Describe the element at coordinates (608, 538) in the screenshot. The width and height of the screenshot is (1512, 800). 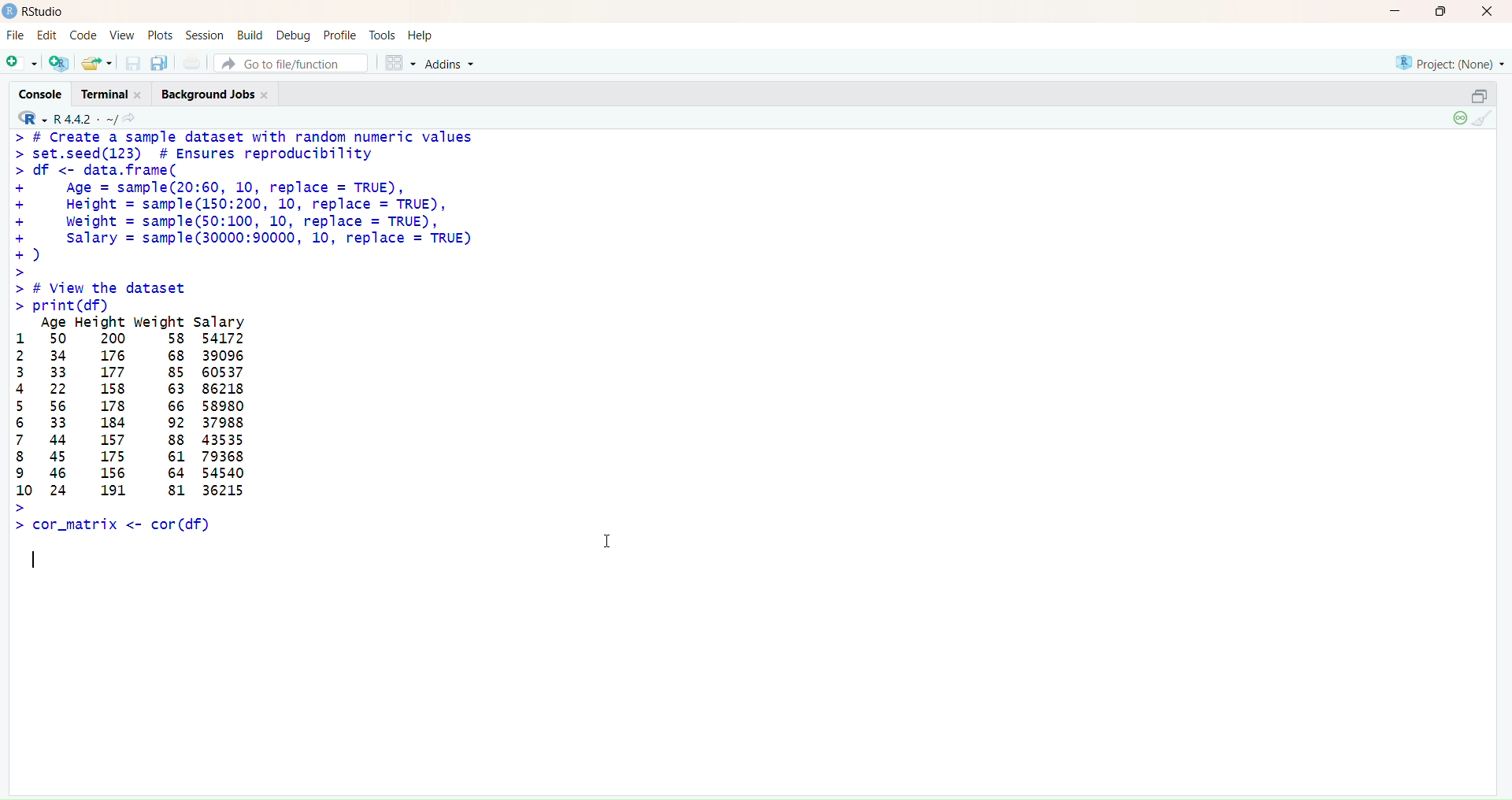
I see `Text cursor` at that location.